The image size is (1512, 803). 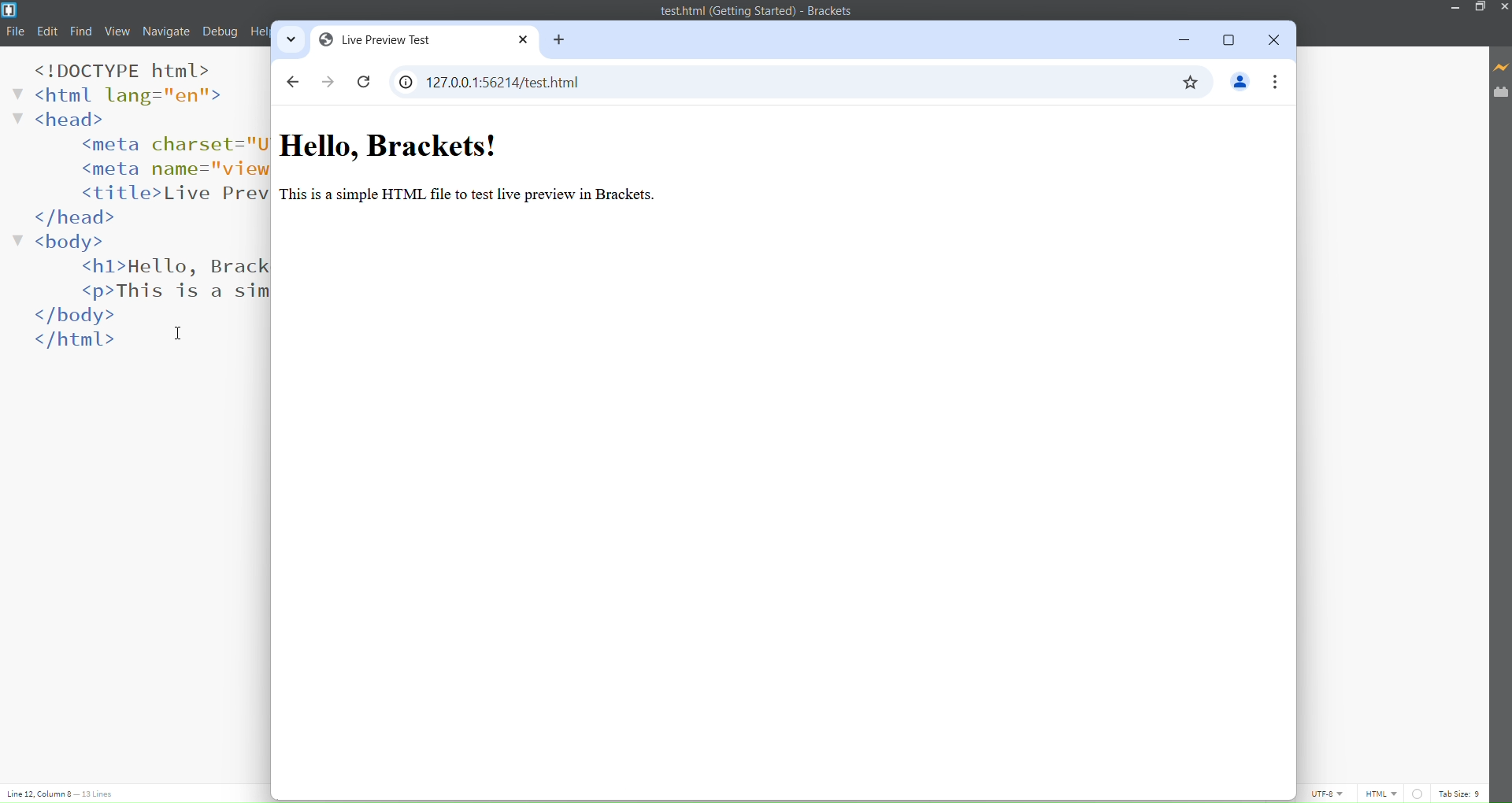 What do you see at coordinates (1379, 794) in the screenshot?
I see `File Type` at bounding box center [1379, 794].